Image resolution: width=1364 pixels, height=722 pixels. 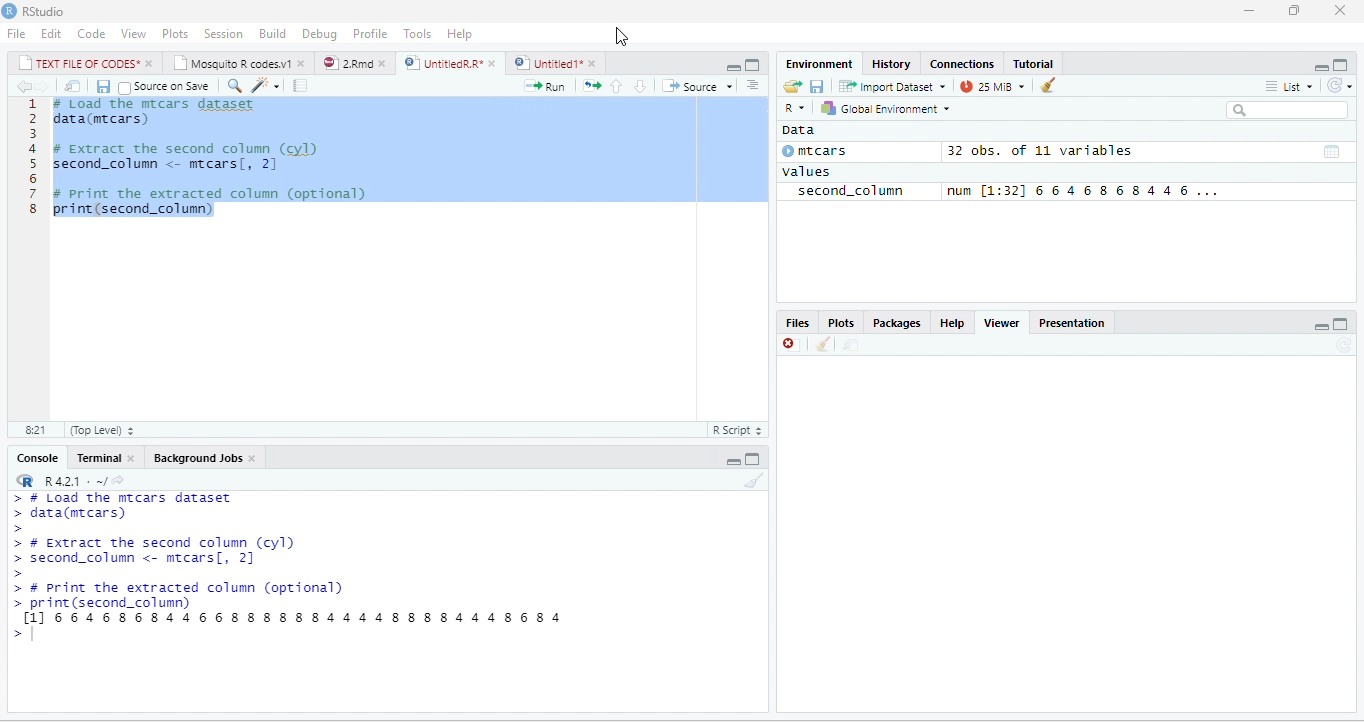 What do you see at coordinates (1343, 323) in the screenshot?
I see `maximize` at bounding box center [1343, 323].